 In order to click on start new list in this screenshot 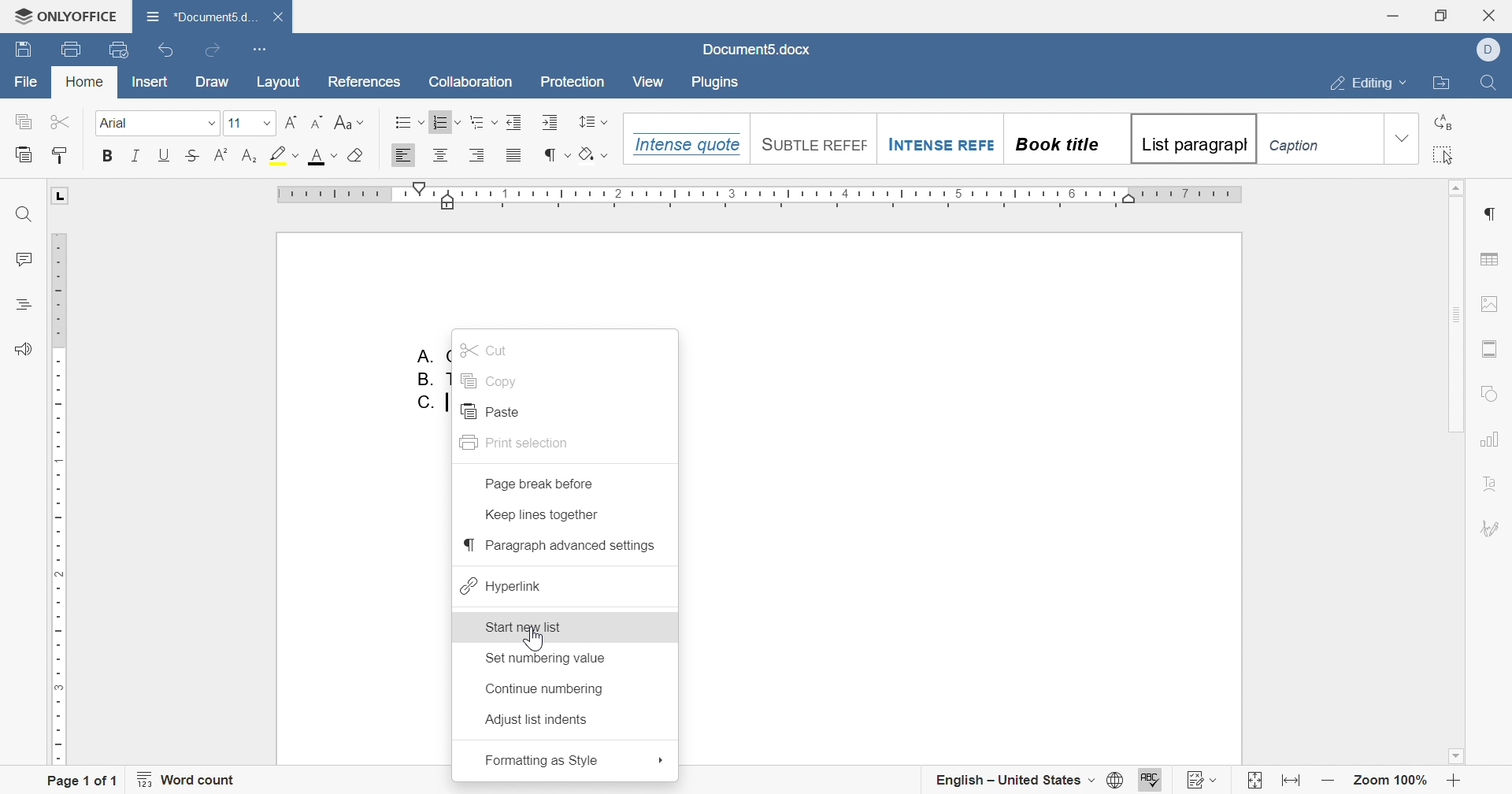, I will do `click(523, 627)`.